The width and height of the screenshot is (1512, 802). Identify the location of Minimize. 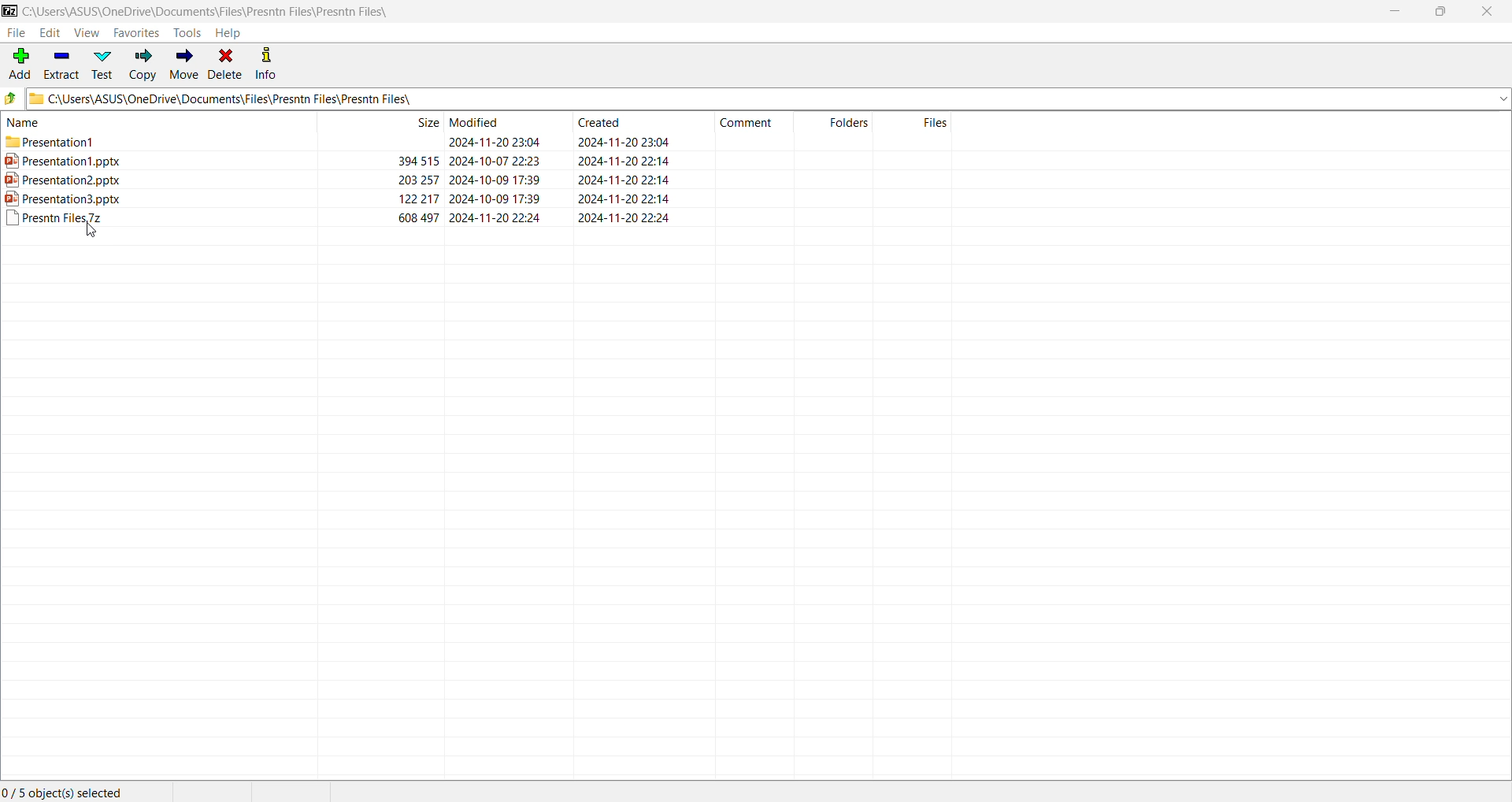
(1395, 10).